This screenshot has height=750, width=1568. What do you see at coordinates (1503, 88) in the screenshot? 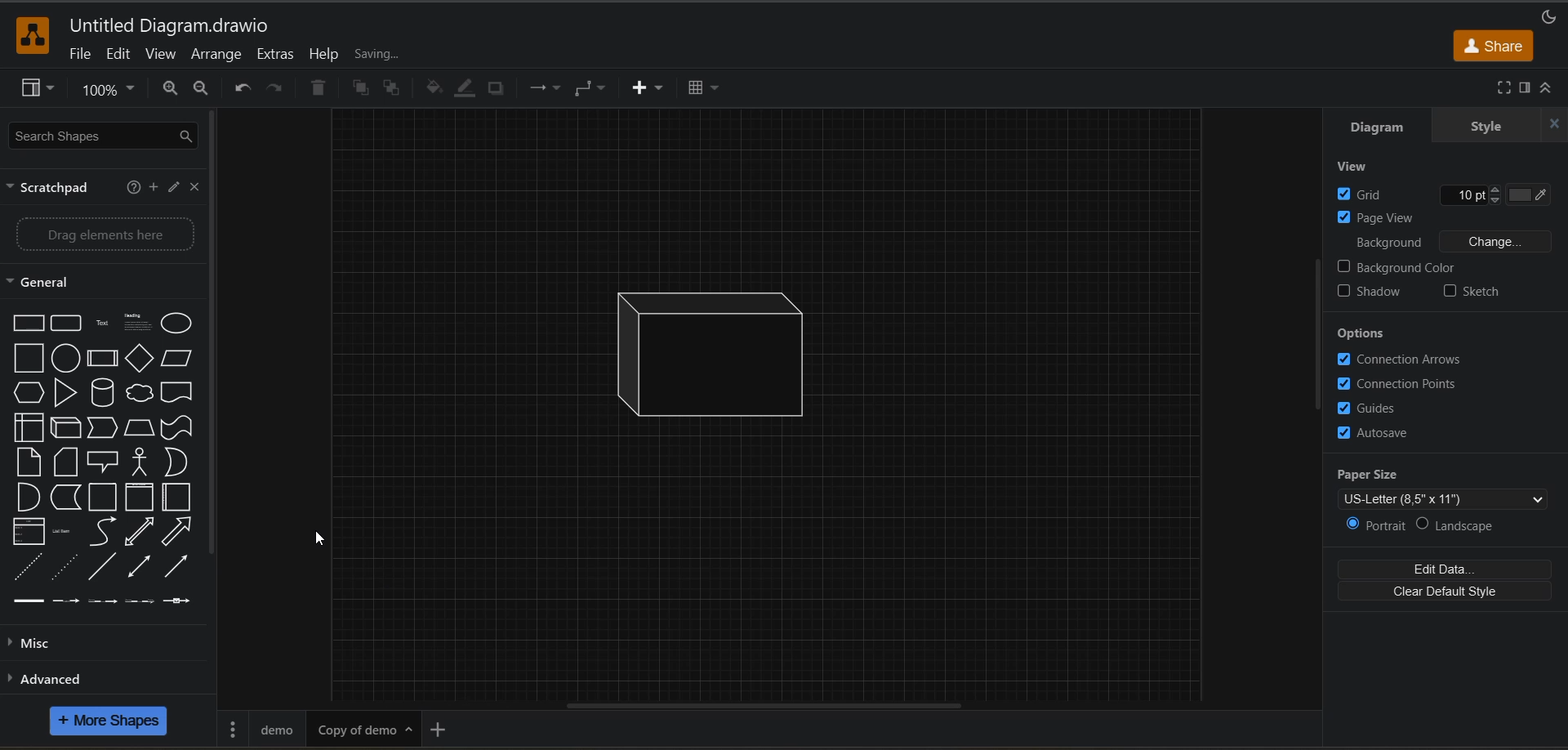
I see `fullscreen` at bounding box center [1503, 88].